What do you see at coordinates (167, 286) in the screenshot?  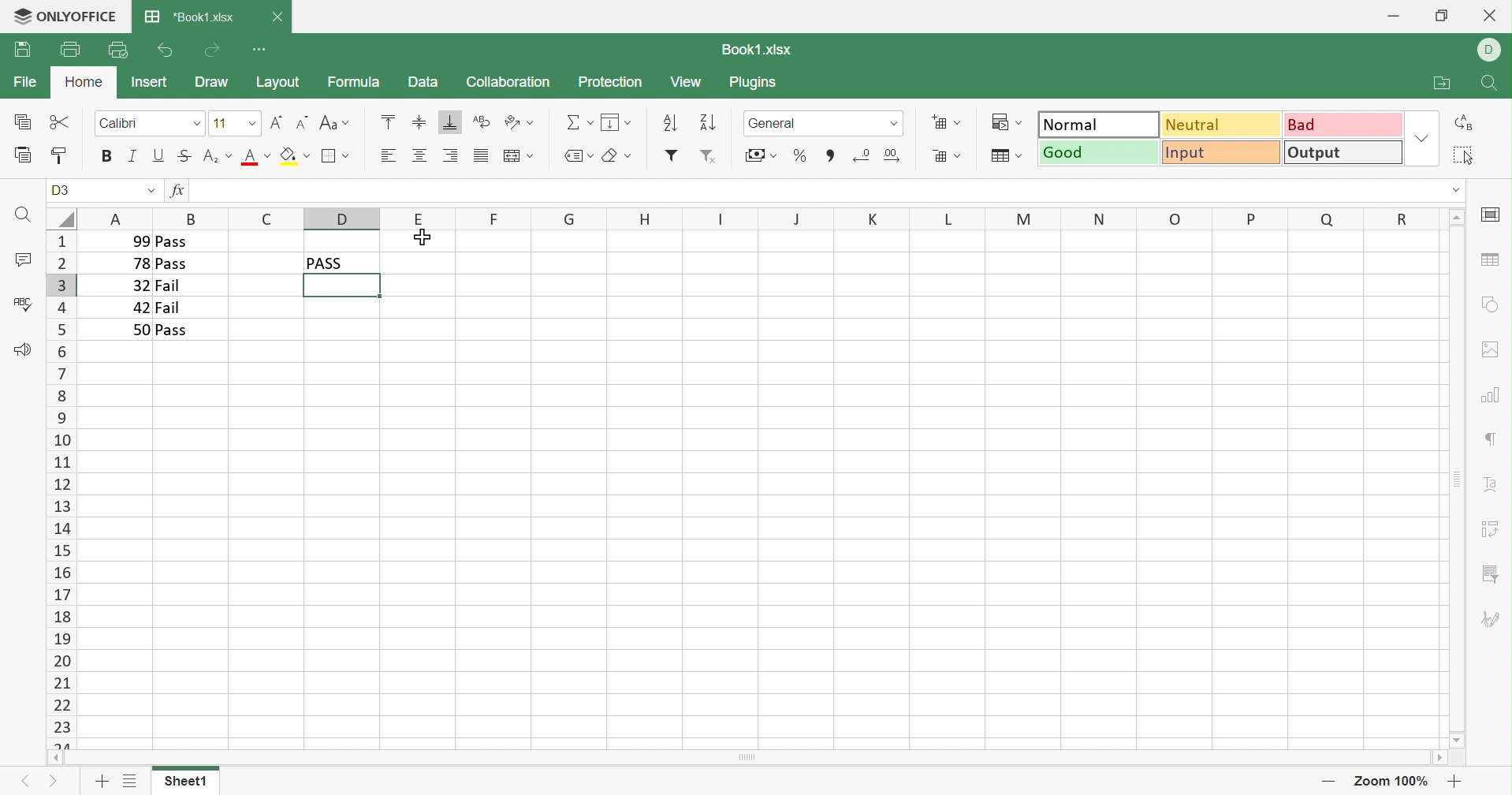 I see `Fail` at bounding box center [167, 286].